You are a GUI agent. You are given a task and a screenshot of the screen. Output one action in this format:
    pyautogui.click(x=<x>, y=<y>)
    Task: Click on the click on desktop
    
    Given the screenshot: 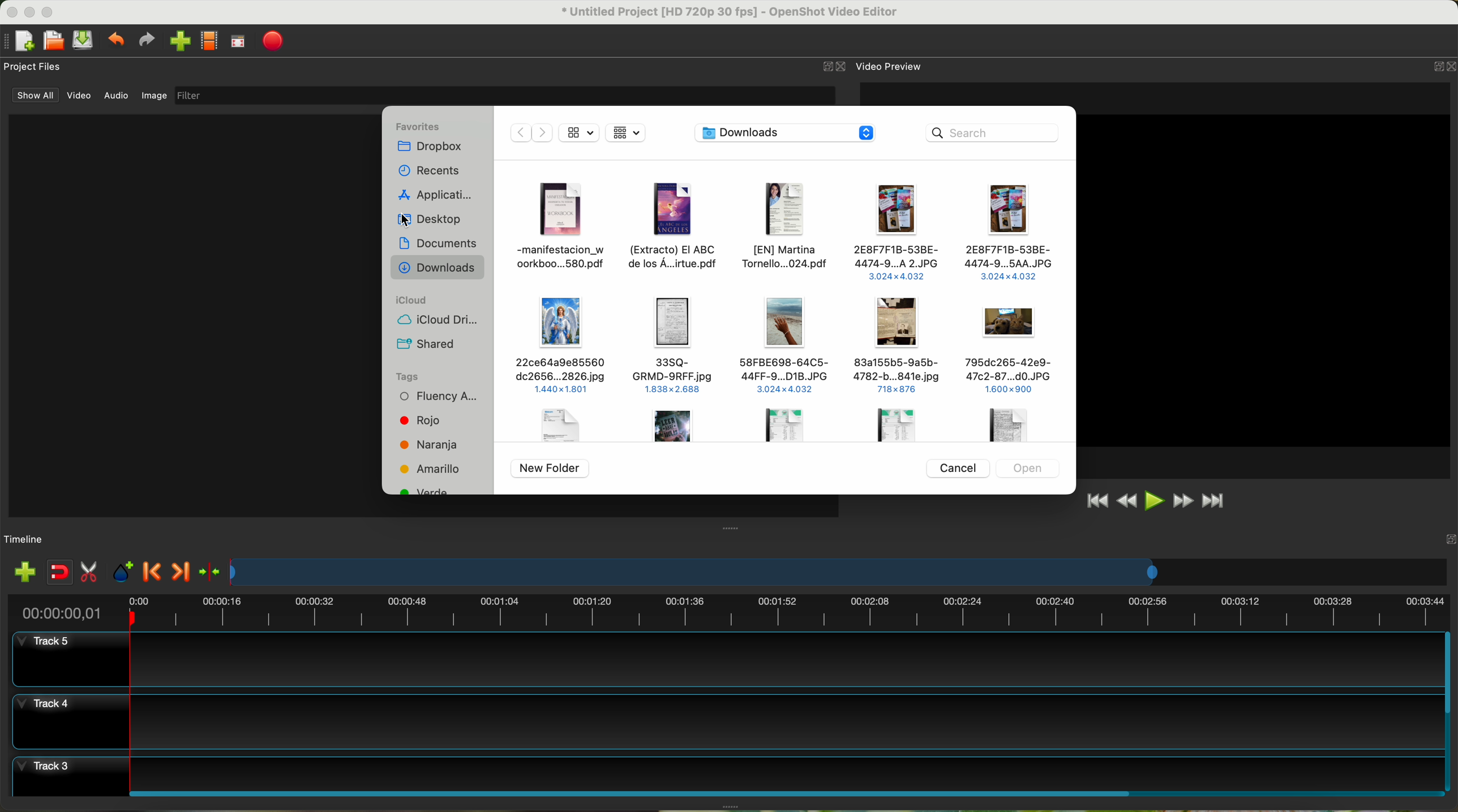 What is the action you would take?
    pyautogui.click(x=439, y=221)
    